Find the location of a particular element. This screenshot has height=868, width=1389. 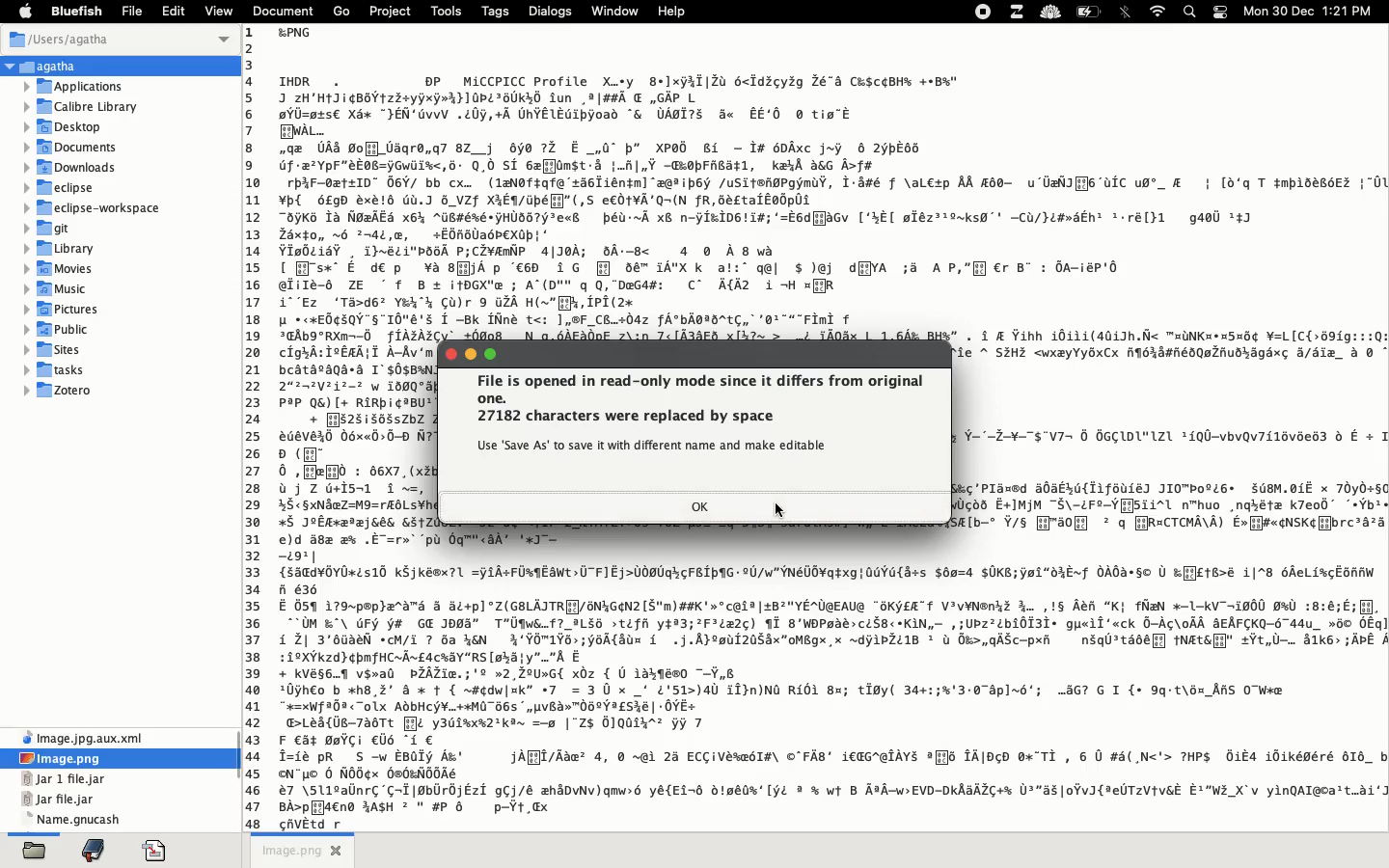

close is located at coordinates (448, 352).